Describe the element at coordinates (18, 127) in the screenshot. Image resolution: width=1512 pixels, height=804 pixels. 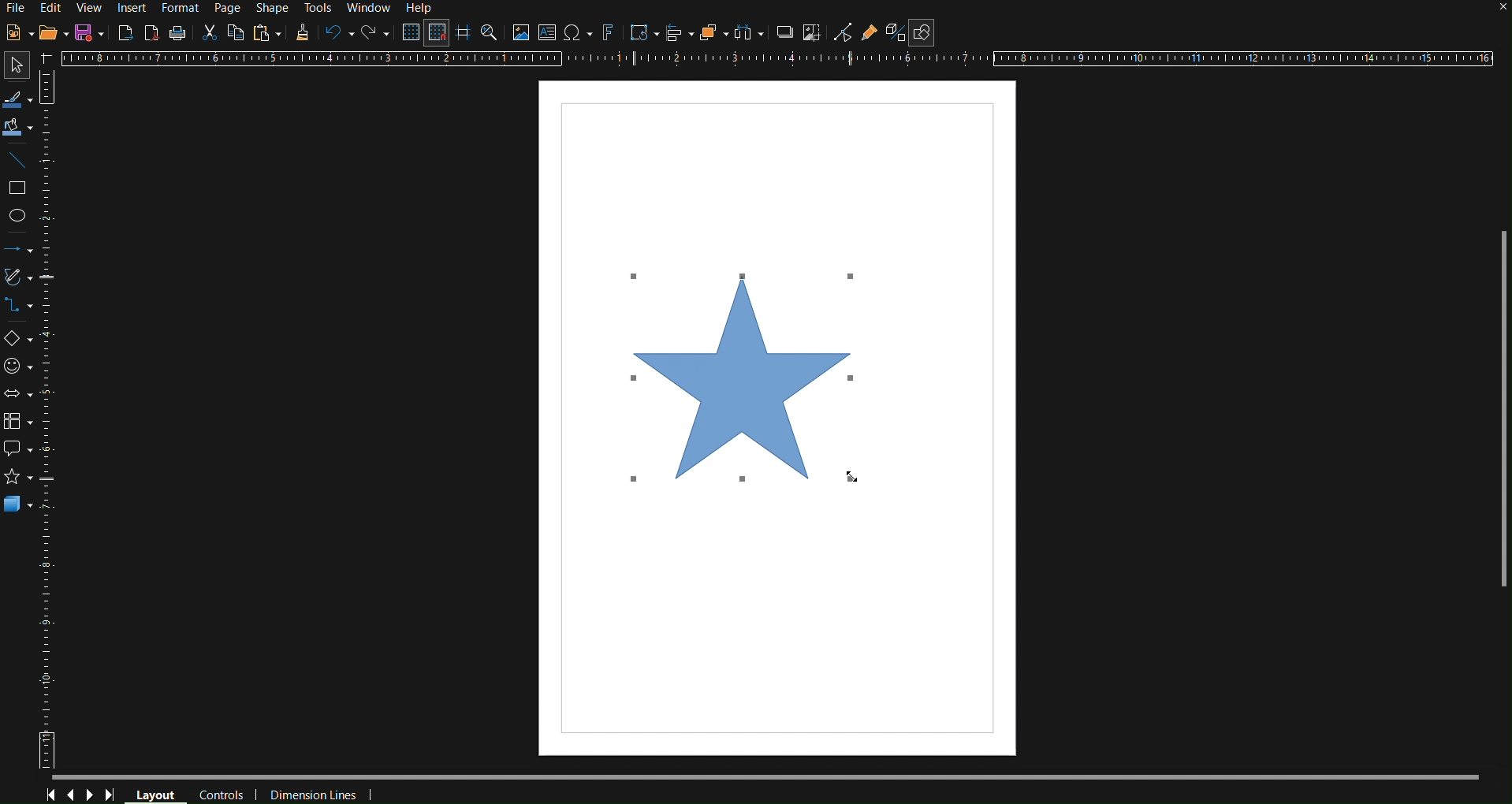
I see `Fill Color` at that location.